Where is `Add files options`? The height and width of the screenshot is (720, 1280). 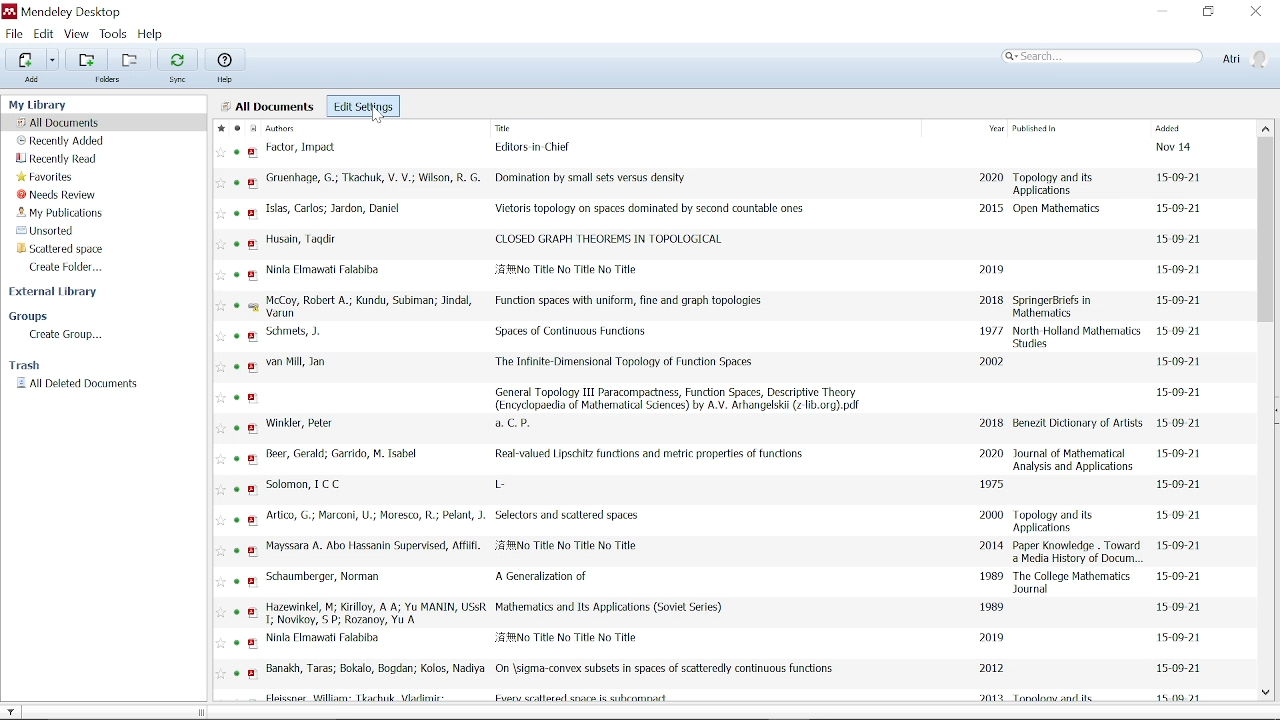
Add files options is located at coordinates (53, 62).